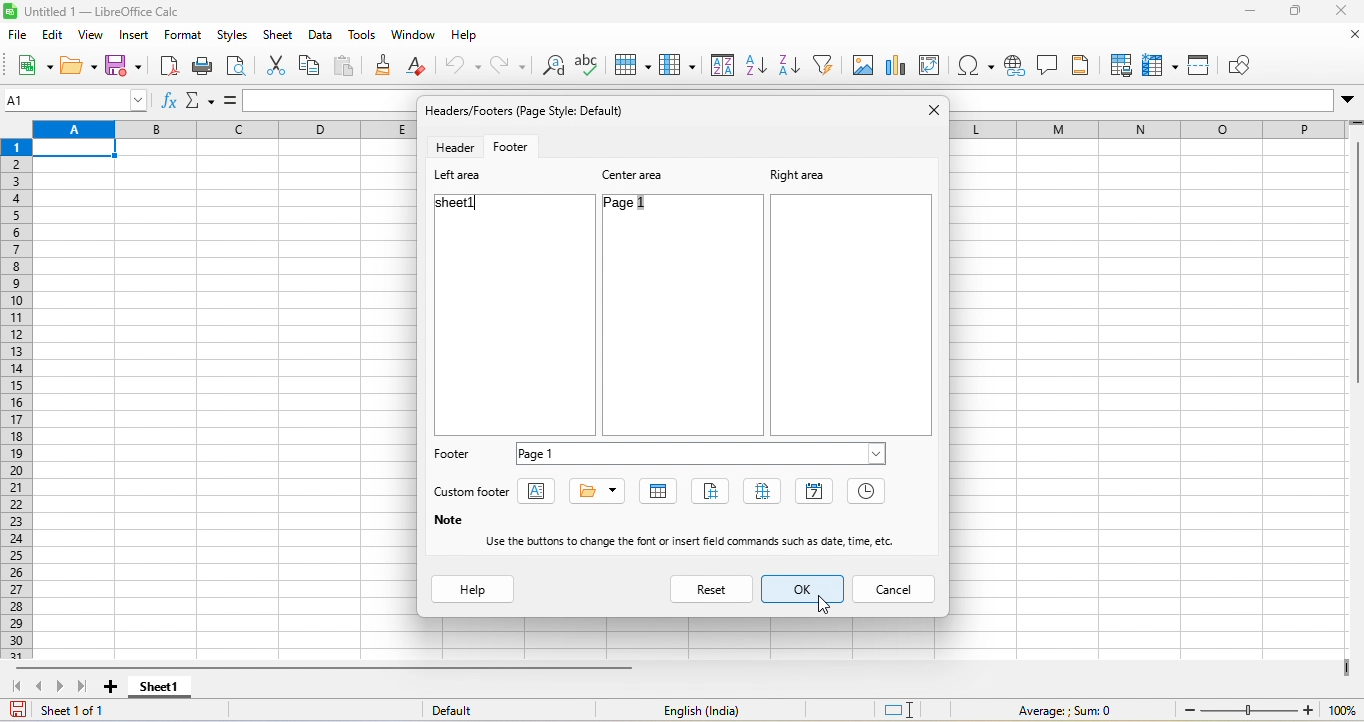  I want to click on help, so click(473, 37).